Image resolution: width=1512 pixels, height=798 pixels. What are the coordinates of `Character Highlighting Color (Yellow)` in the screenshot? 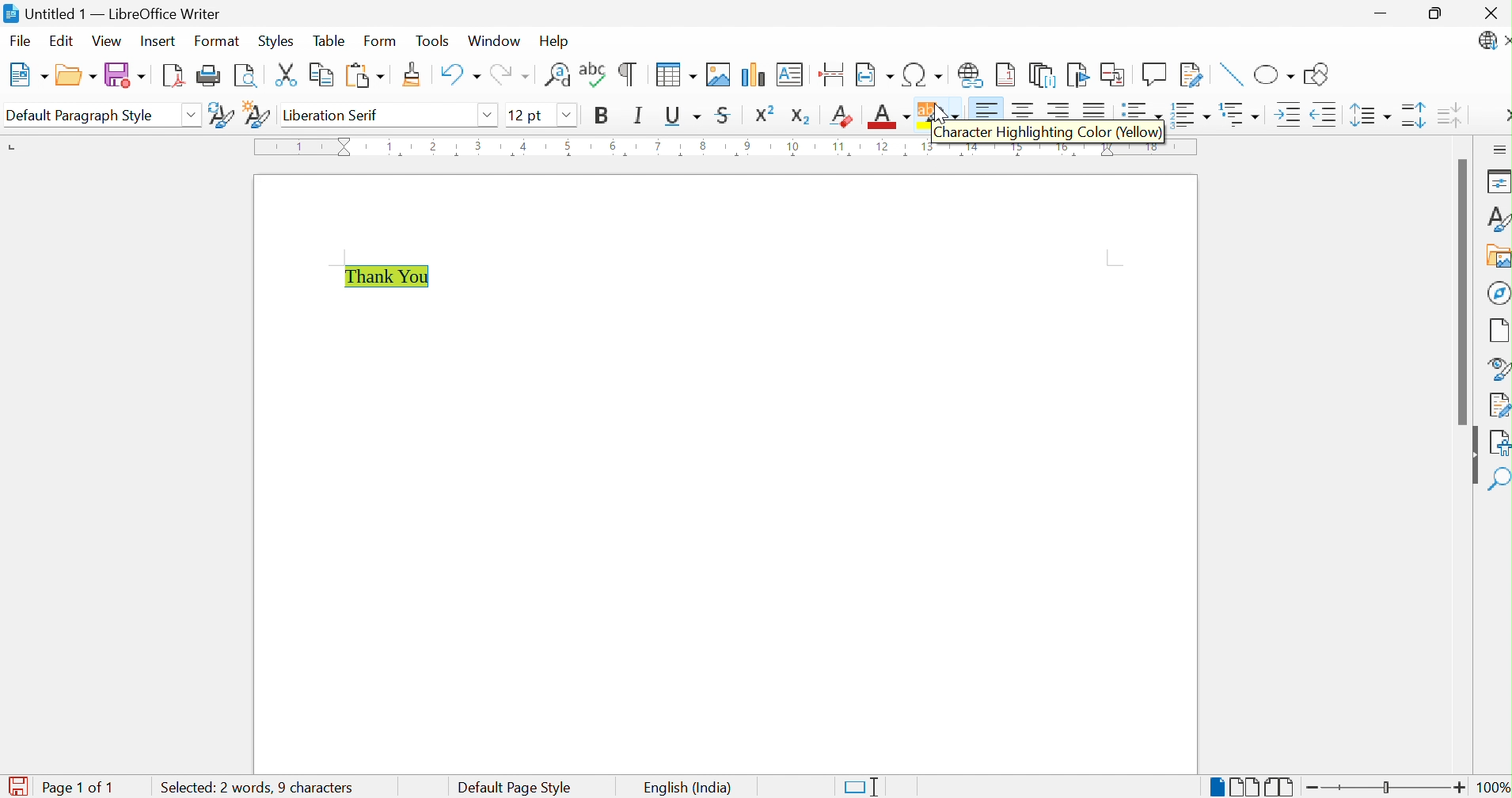 It's located at (1047, 135).